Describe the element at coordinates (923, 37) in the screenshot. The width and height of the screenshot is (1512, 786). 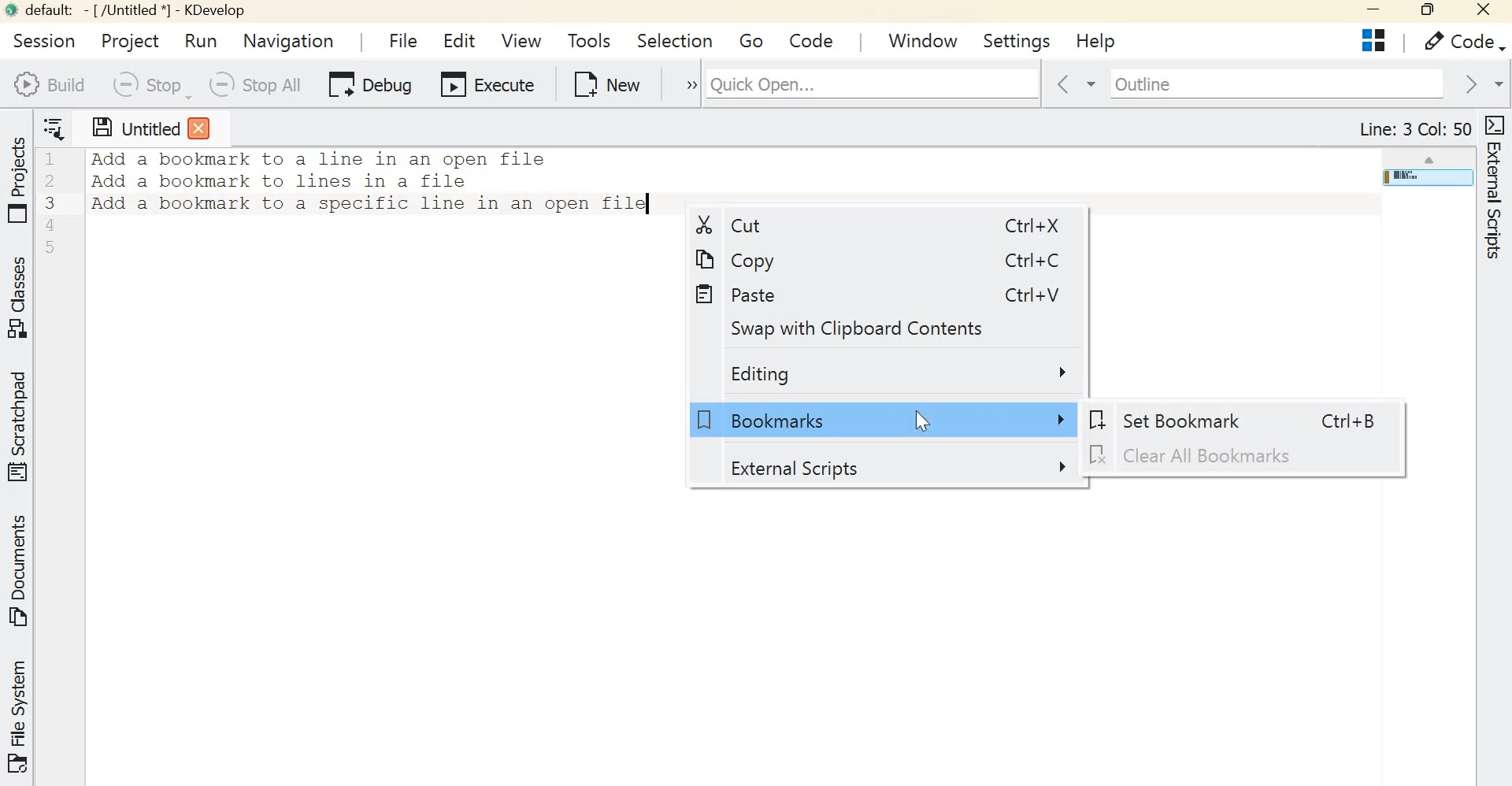
I see `window` at that location.